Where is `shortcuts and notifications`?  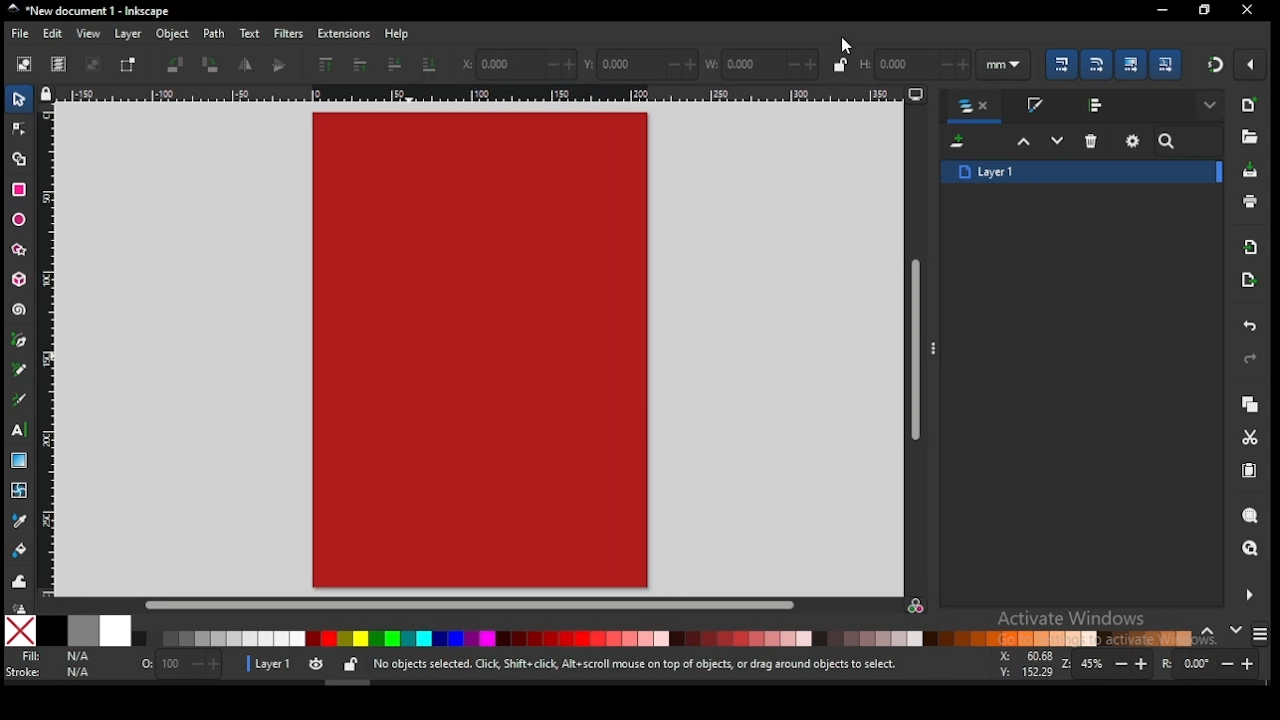
shortcuts and notifications is located at coordinates (634, 665).